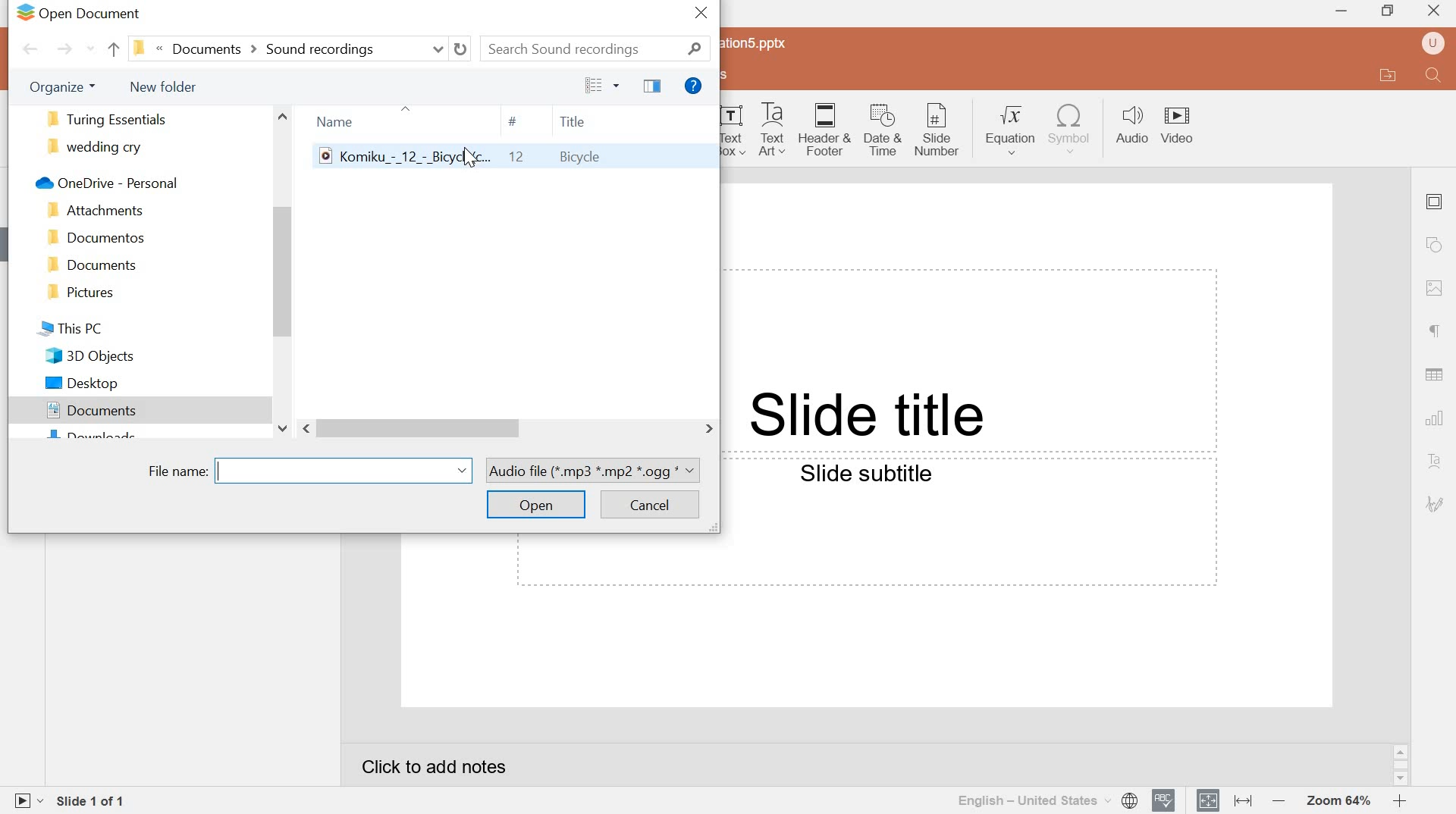 Image resolution: width=1456 pixels, height=814 pixels. What do you see at coordinates (1401, 765) in the screenshot?
I see `scrollbar` at bounding box center [1401, 765].